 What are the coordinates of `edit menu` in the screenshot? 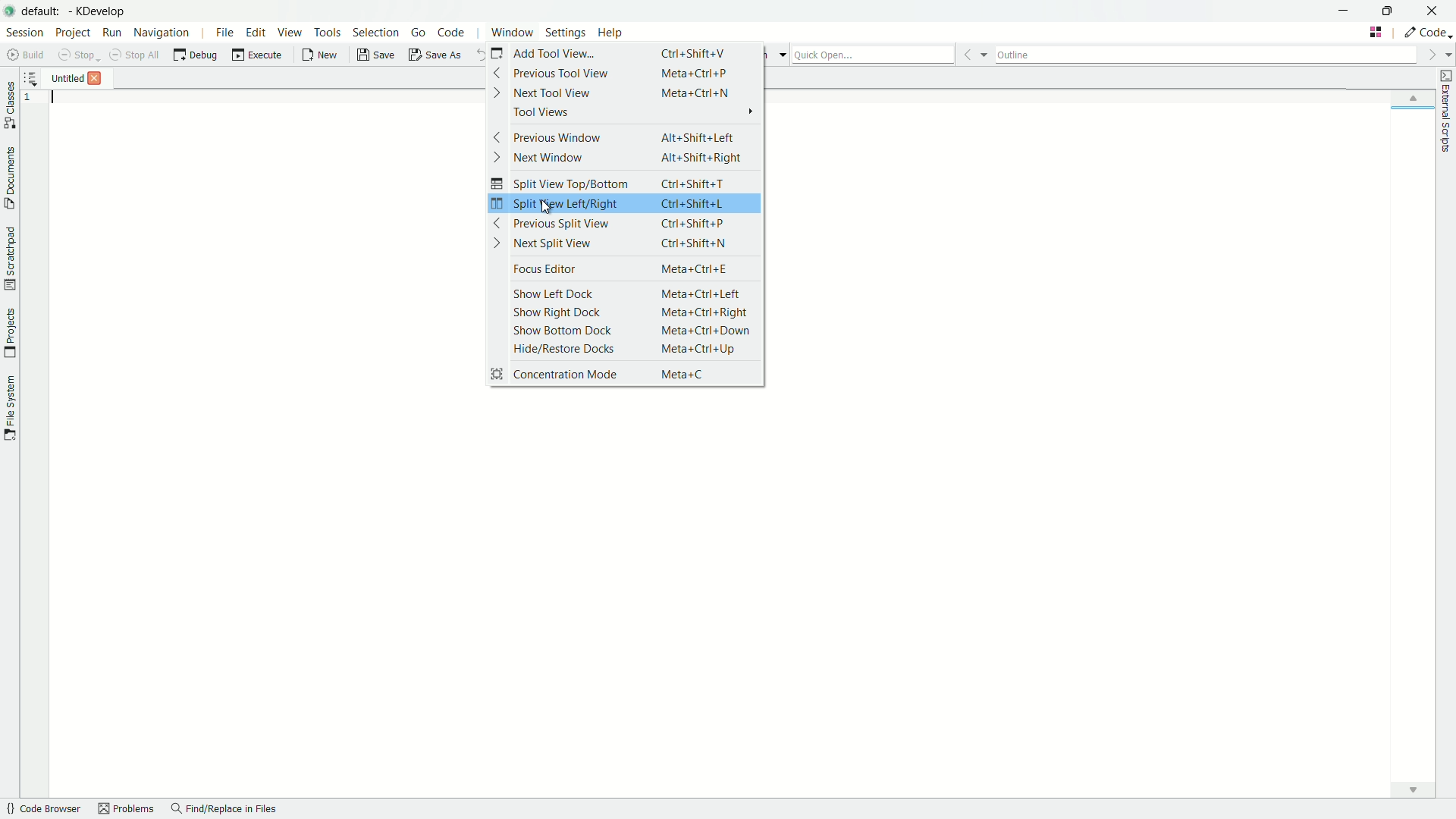 It's located at (259, 33).